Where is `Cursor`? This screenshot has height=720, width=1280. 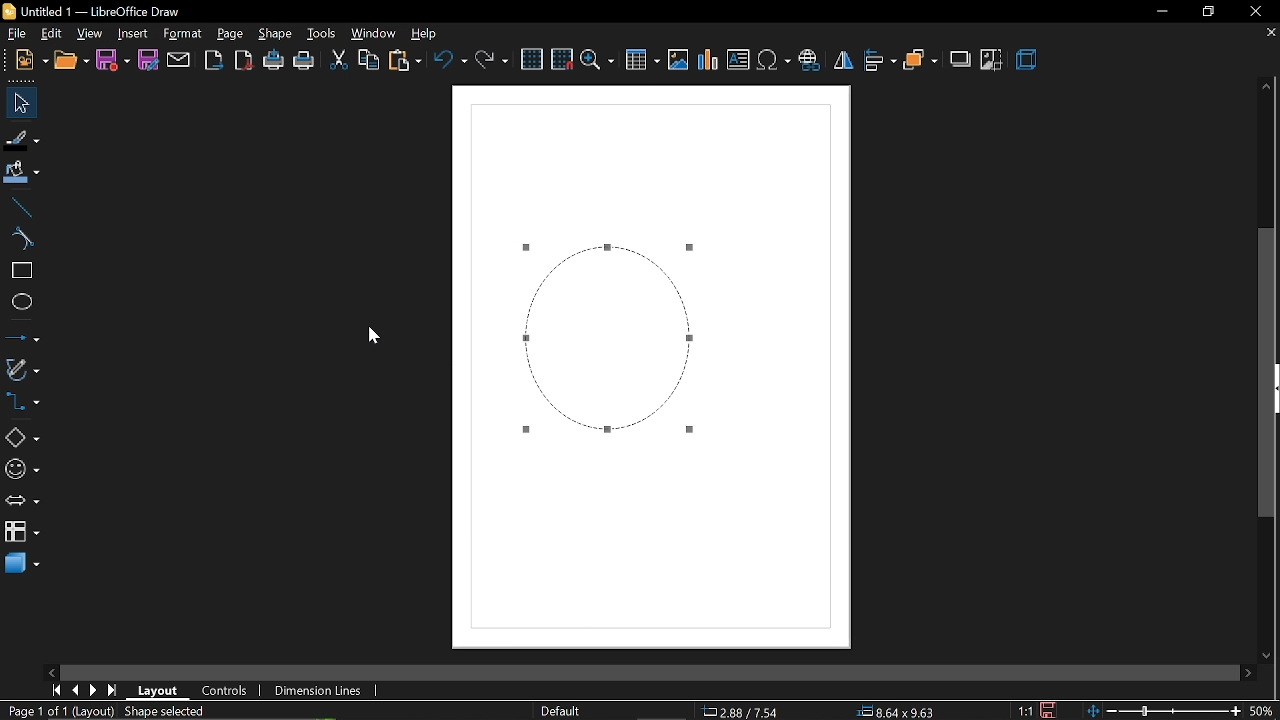
Cursor is located at coordinates (367, 338).